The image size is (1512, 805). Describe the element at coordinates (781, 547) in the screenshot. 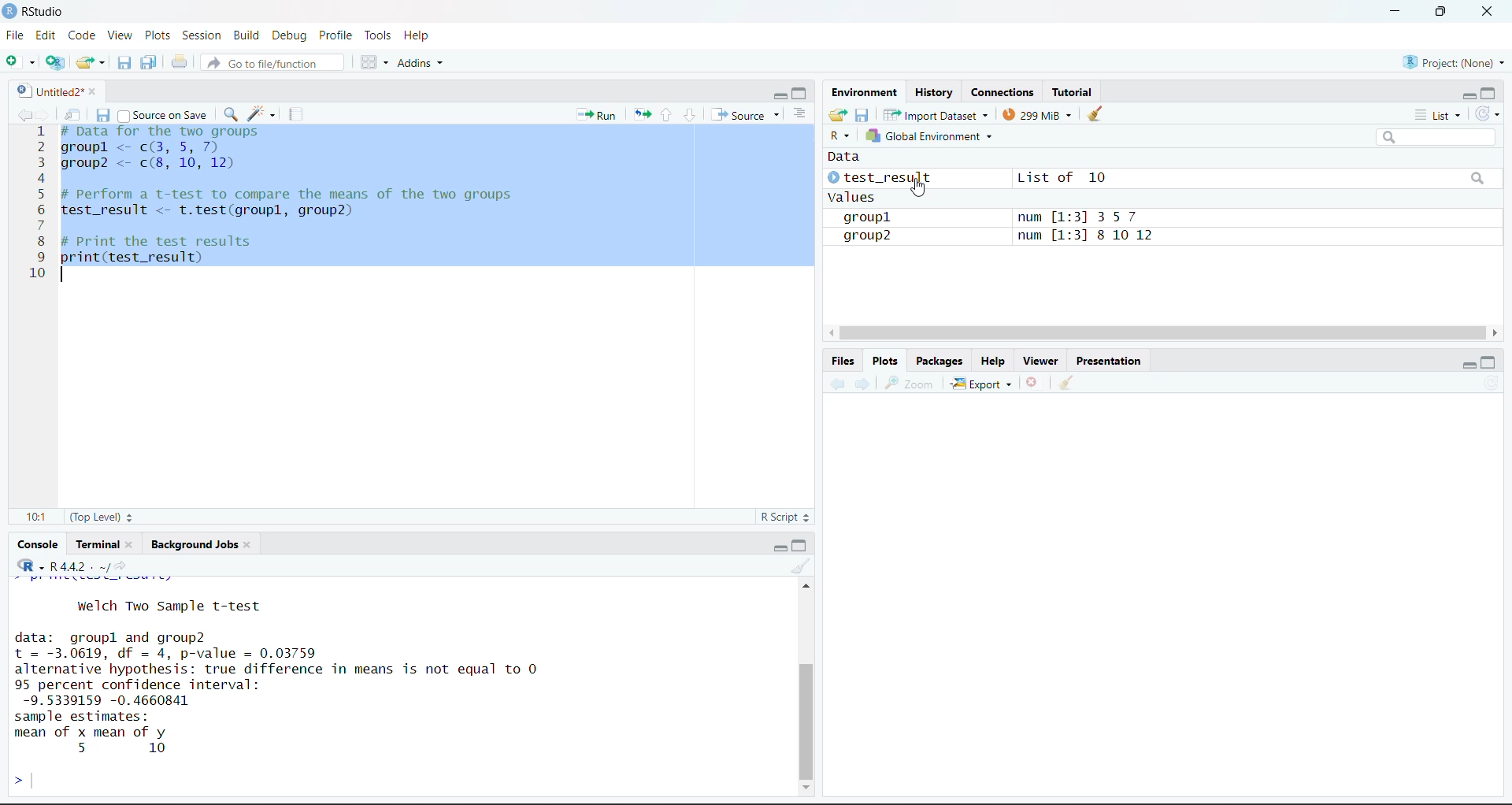

I see `minimize` at that location.